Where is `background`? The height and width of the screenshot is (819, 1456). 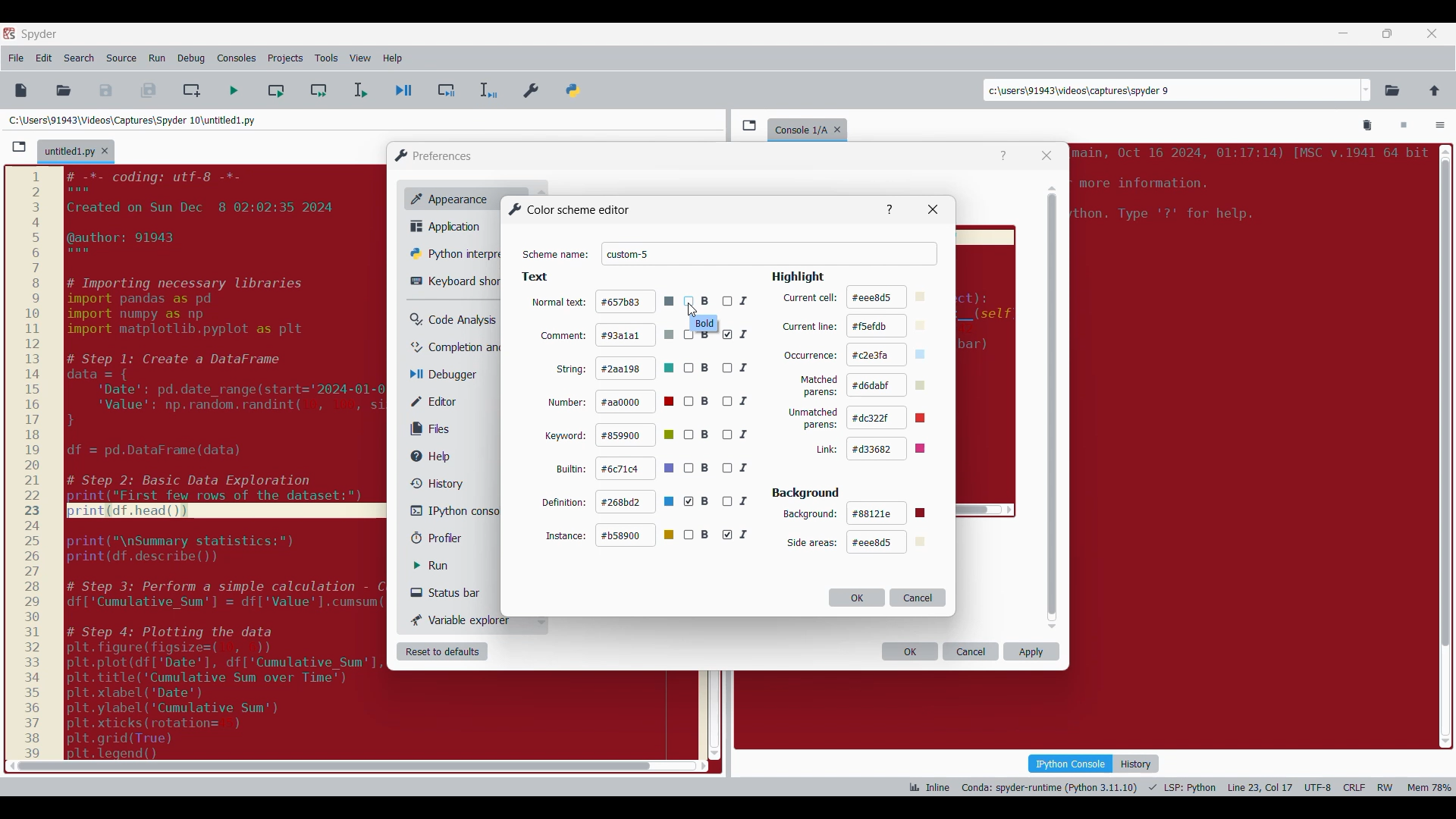
background is located at coordinates (810, 514).